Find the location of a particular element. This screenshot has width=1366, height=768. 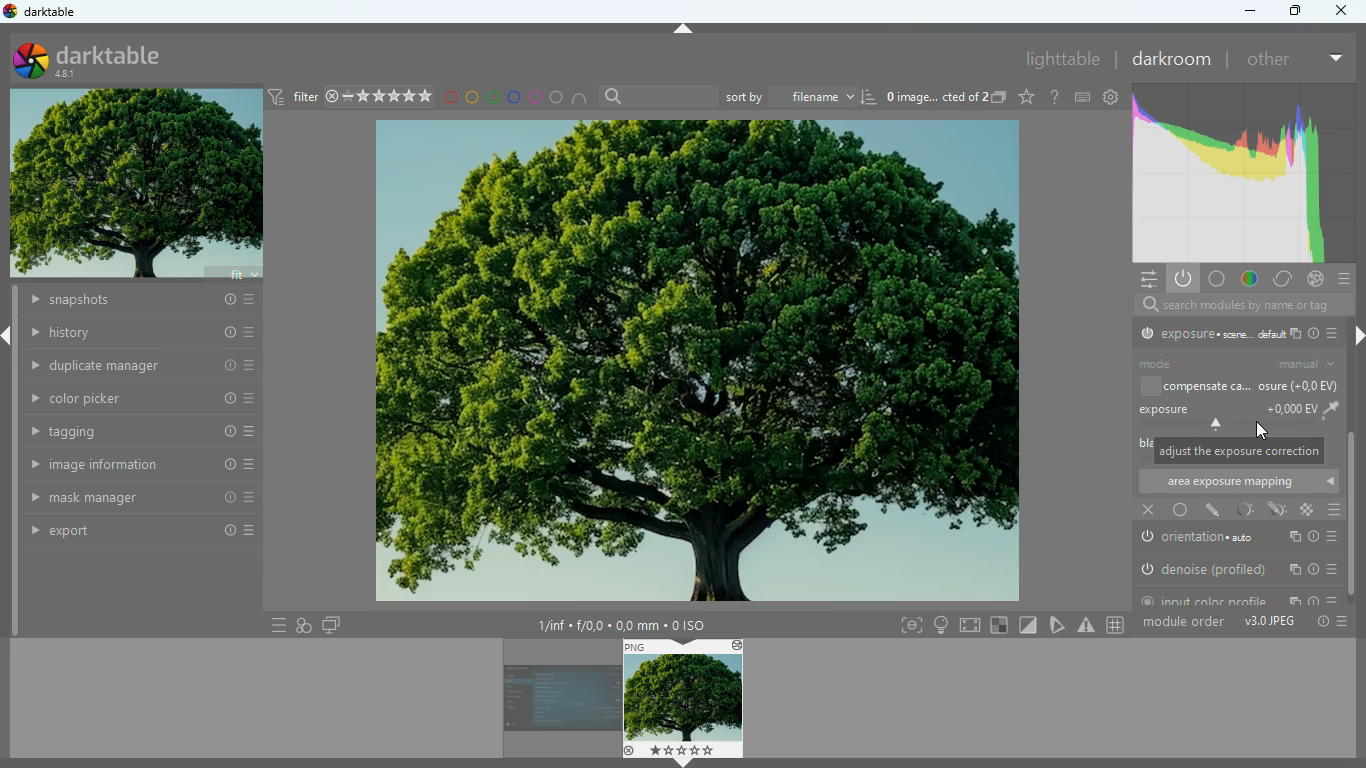

trianlge is located at coordinates (1055, 624).